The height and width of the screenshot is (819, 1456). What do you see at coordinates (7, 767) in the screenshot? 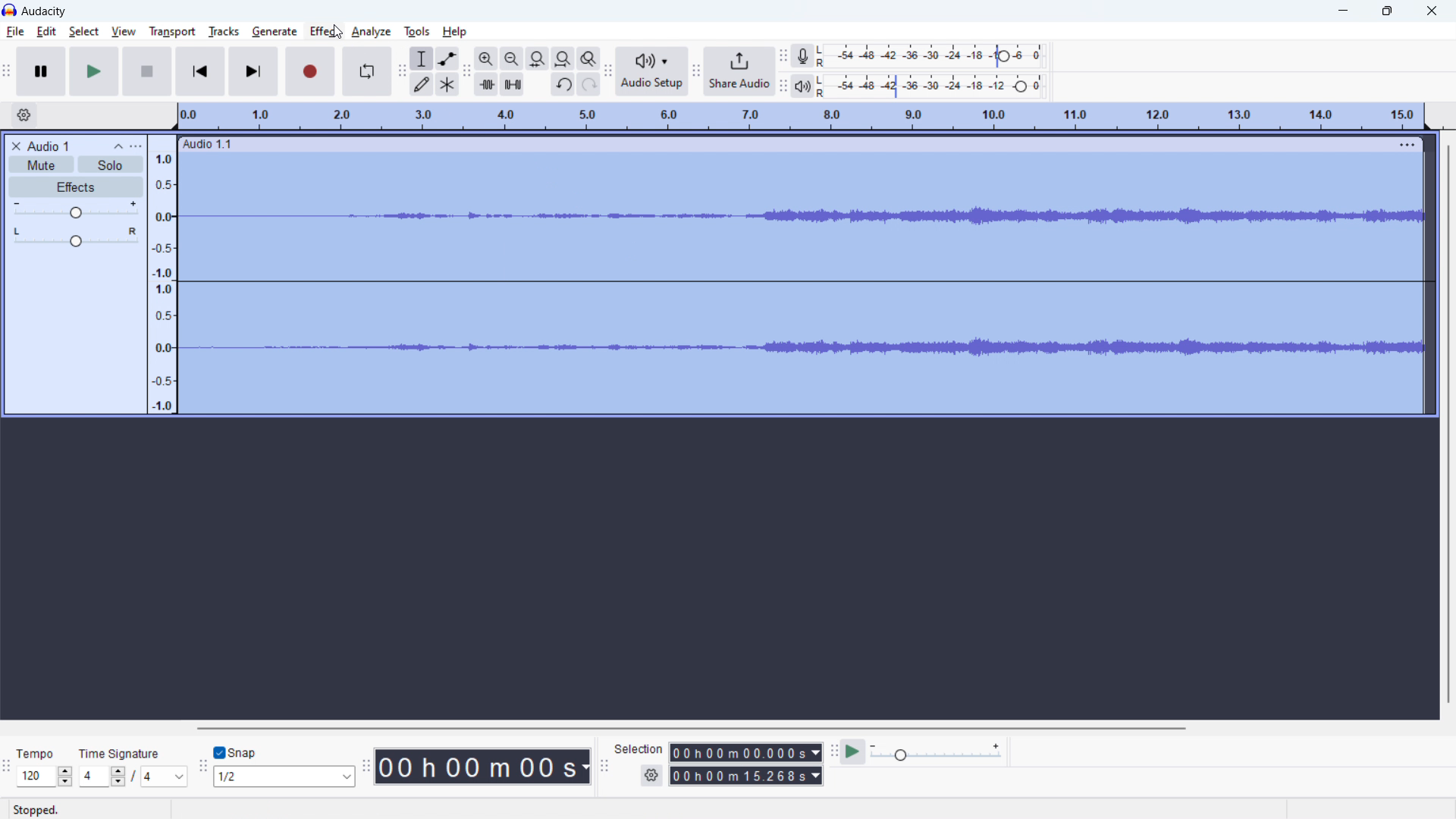
I see `time signature toolbar` at bounding box center [7, 767].